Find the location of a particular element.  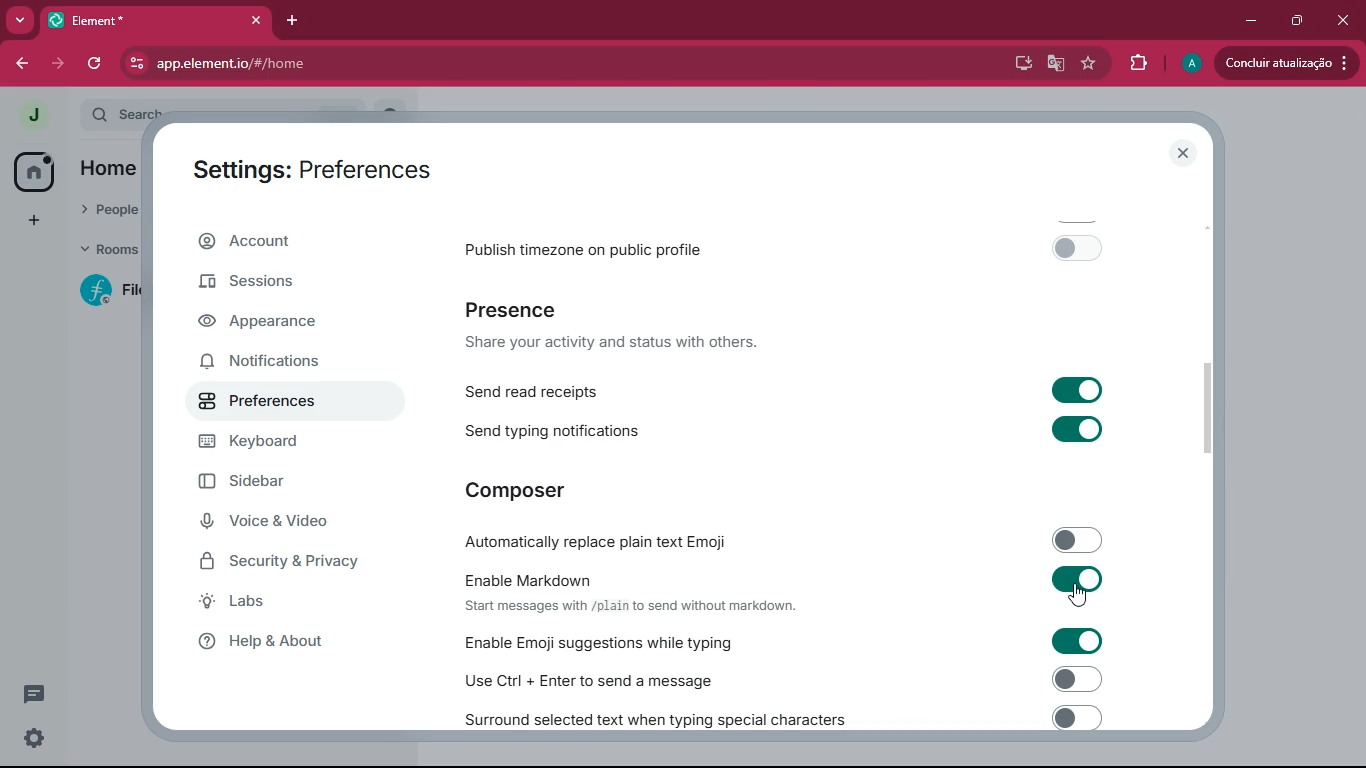

home is located at coordinates (28, 172).